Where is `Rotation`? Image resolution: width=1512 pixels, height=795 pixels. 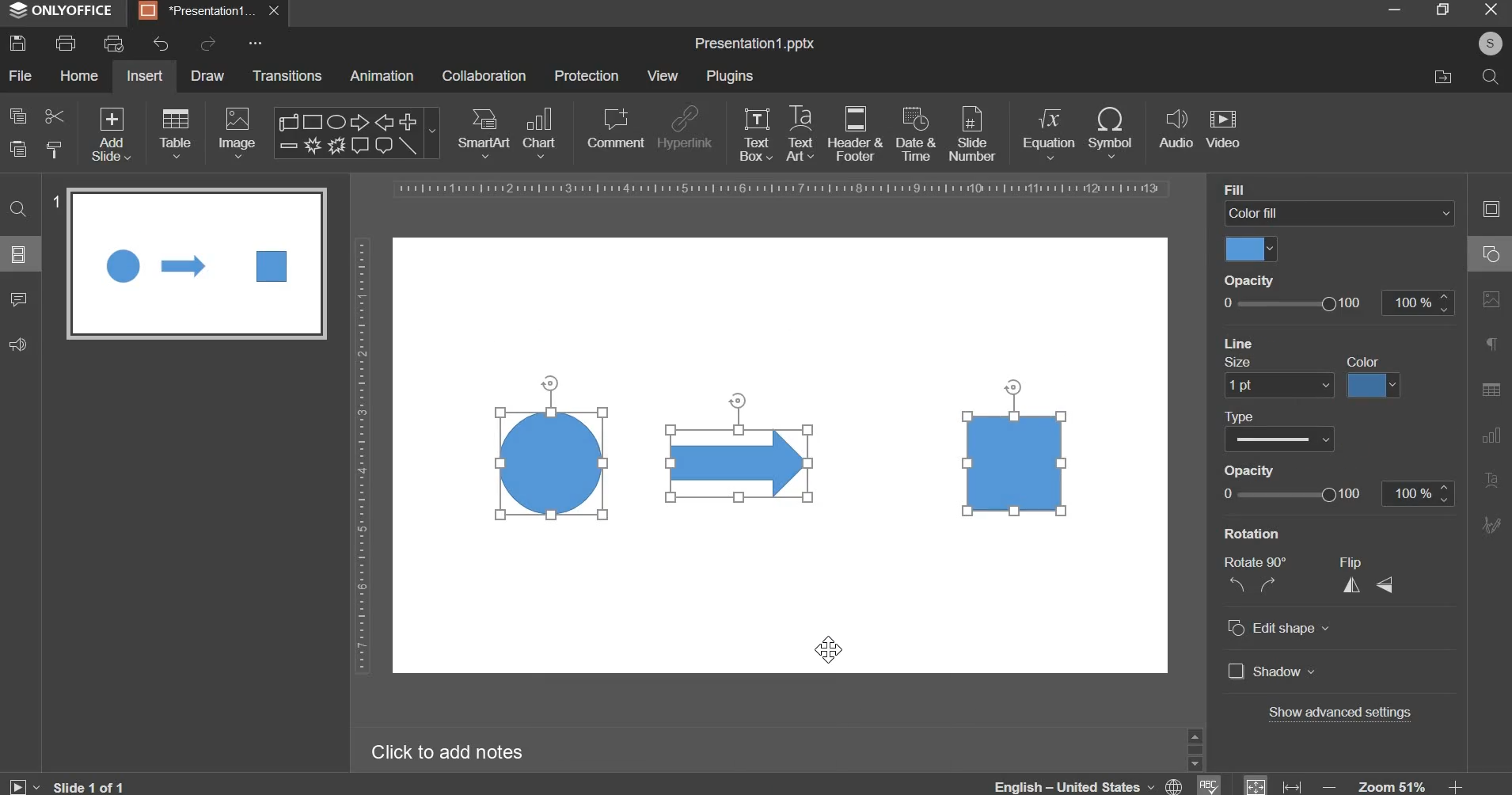
Rotation is located at coordinates (1262, 533).